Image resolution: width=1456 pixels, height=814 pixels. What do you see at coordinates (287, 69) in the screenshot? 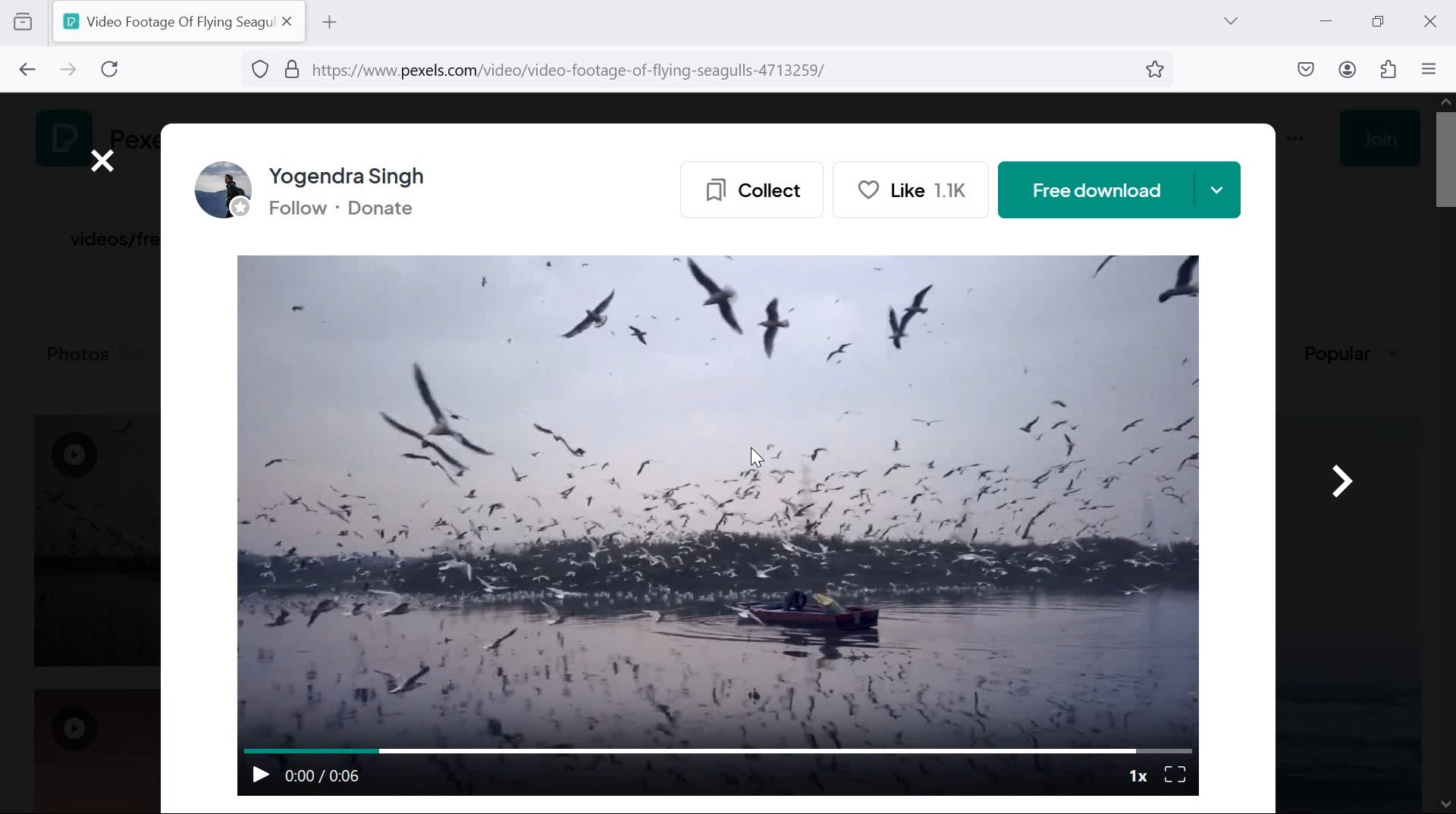
I see `PERMISSIONS` at bounding box center [287, 69].